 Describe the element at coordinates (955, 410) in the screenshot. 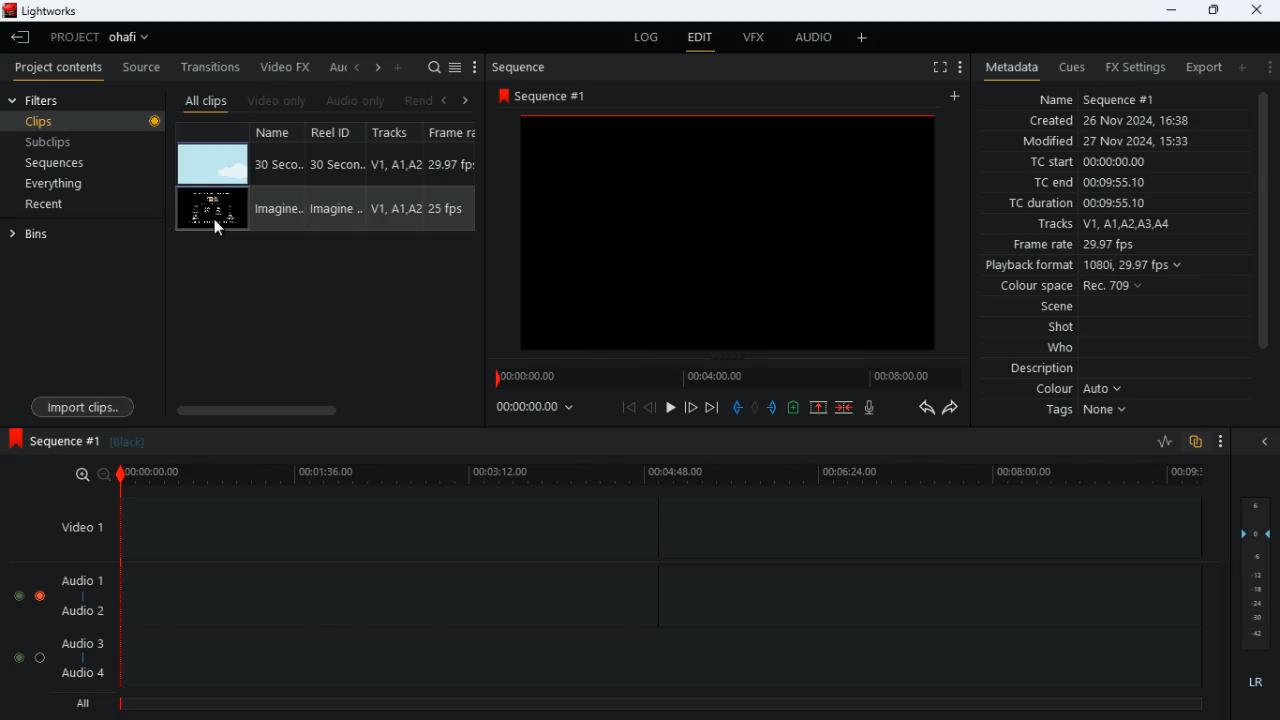

I see `forward` at that location.